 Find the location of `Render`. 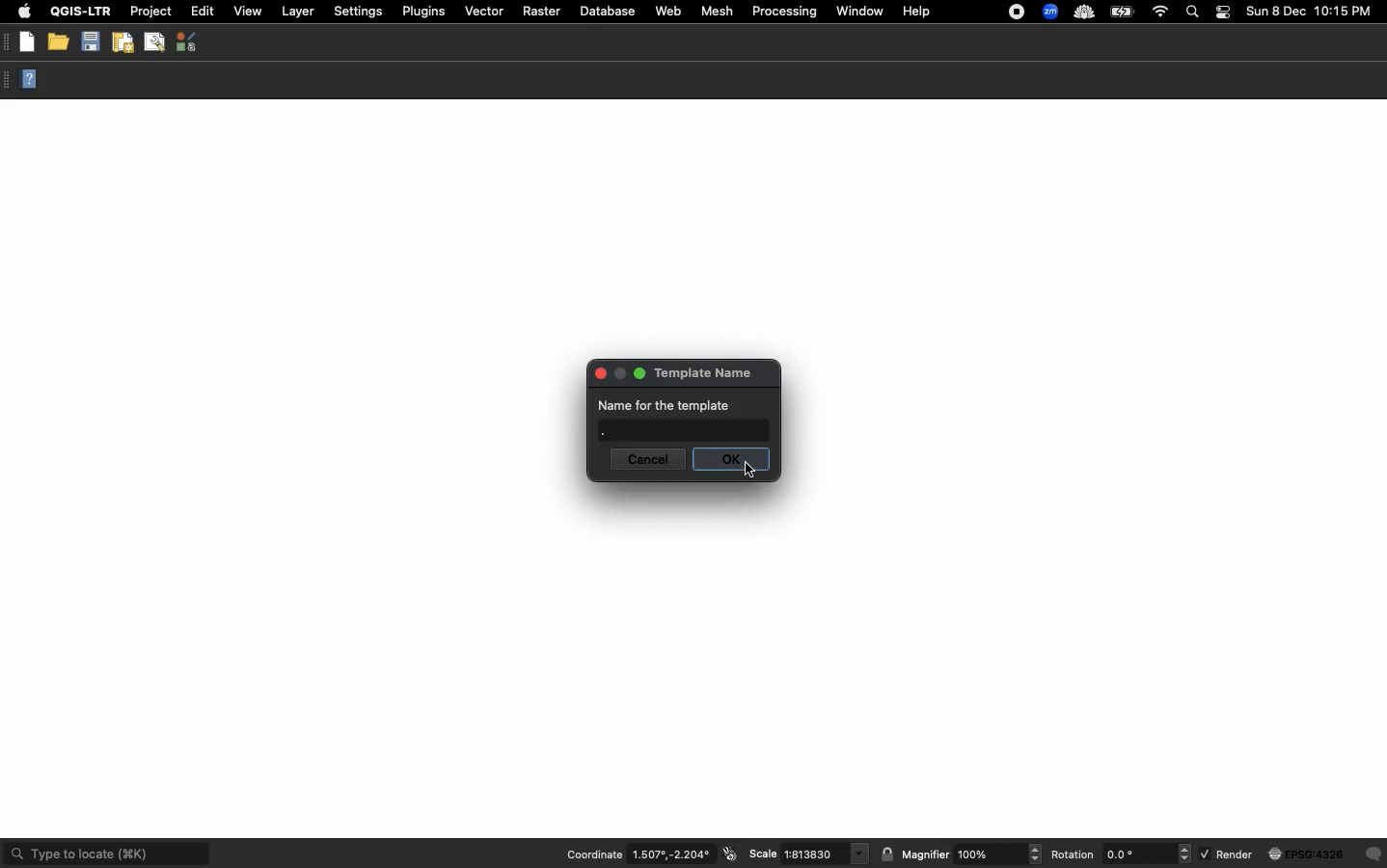

Render is located at coordinates (1227, 854).